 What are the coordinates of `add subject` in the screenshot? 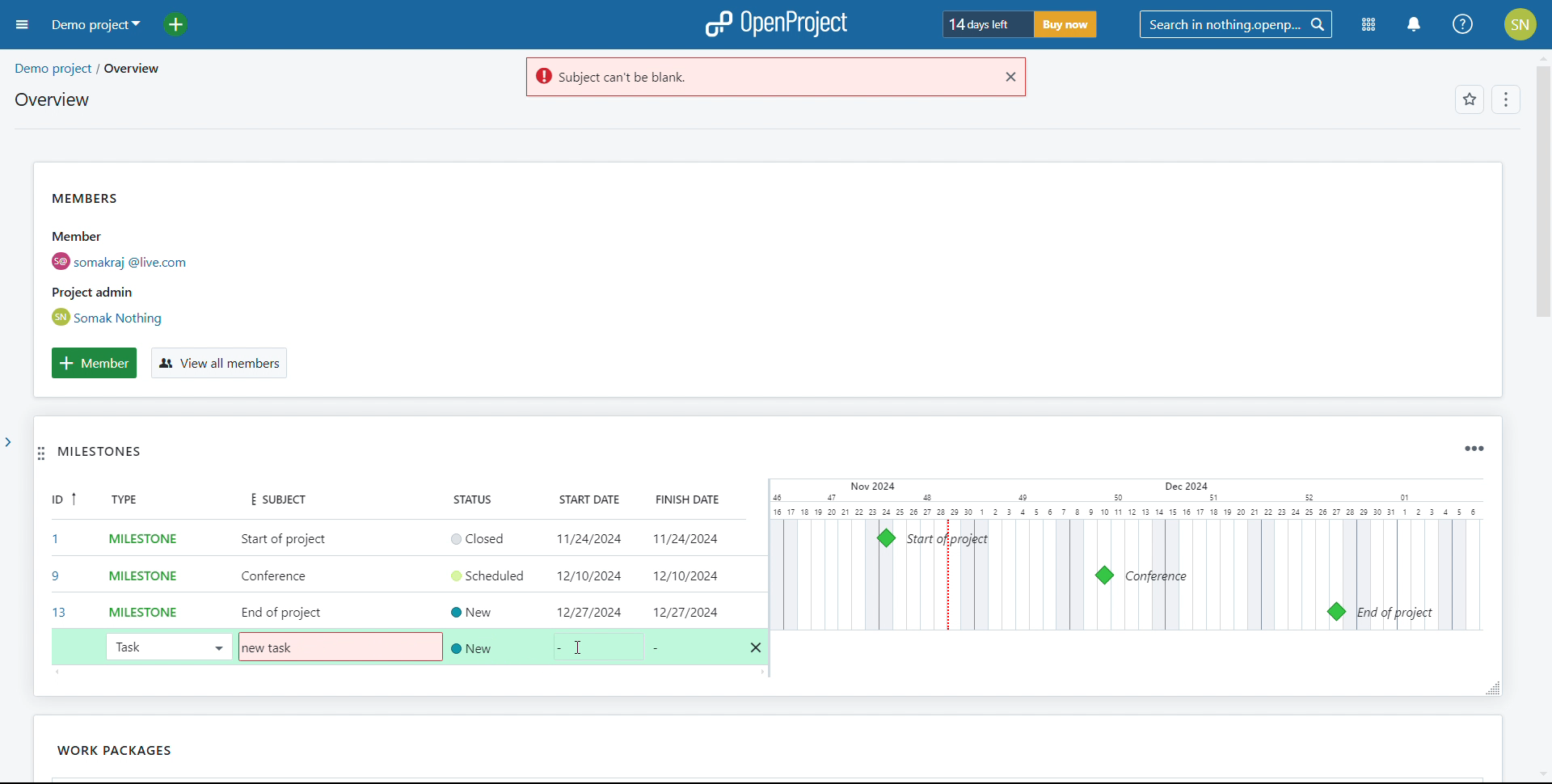 It's located at (285, 576).